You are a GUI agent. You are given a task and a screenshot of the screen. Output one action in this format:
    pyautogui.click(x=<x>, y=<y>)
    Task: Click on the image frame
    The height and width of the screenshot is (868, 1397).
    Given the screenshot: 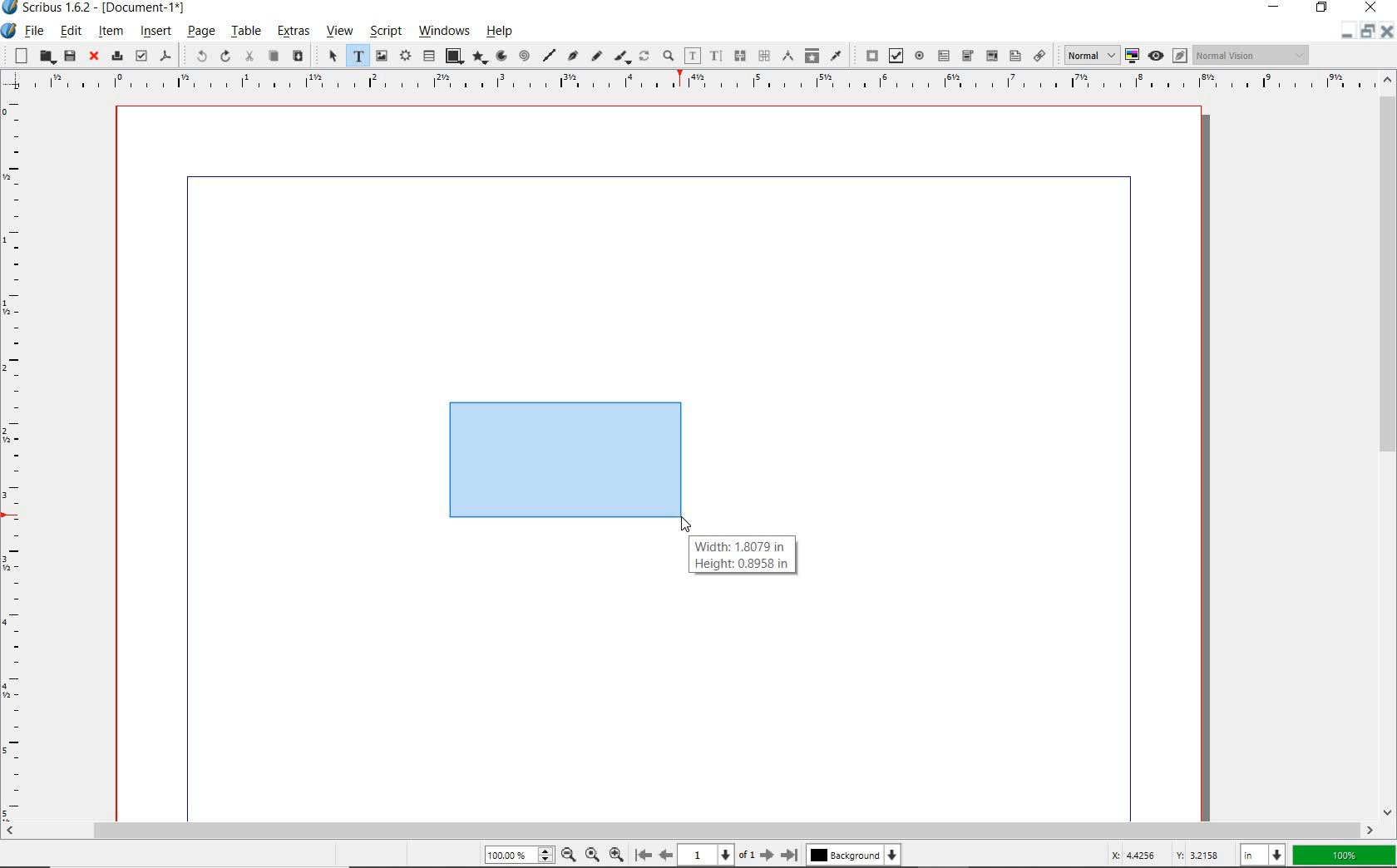 What is the action you would take?
    pyautogui.click(x=381, y=55)
    